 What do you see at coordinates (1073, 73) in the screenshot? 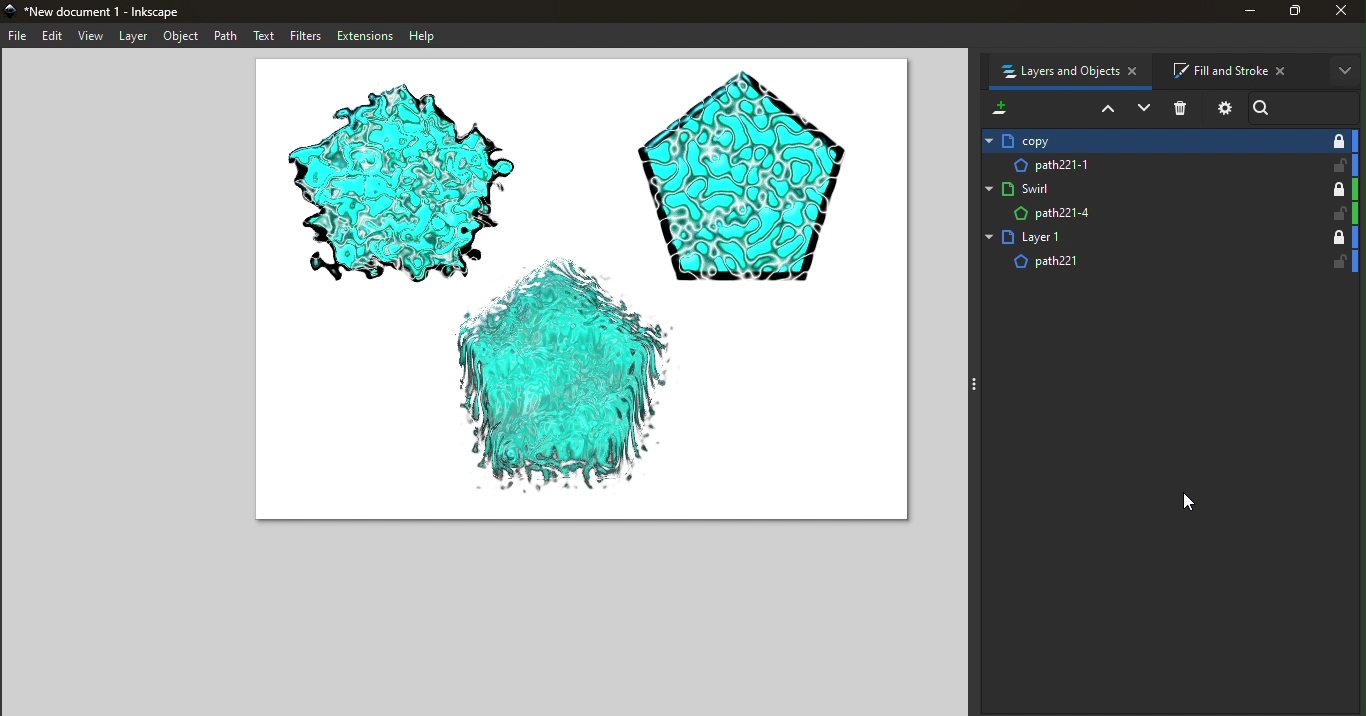
I see `Layers and objects` at bounding box center [1073, 73].